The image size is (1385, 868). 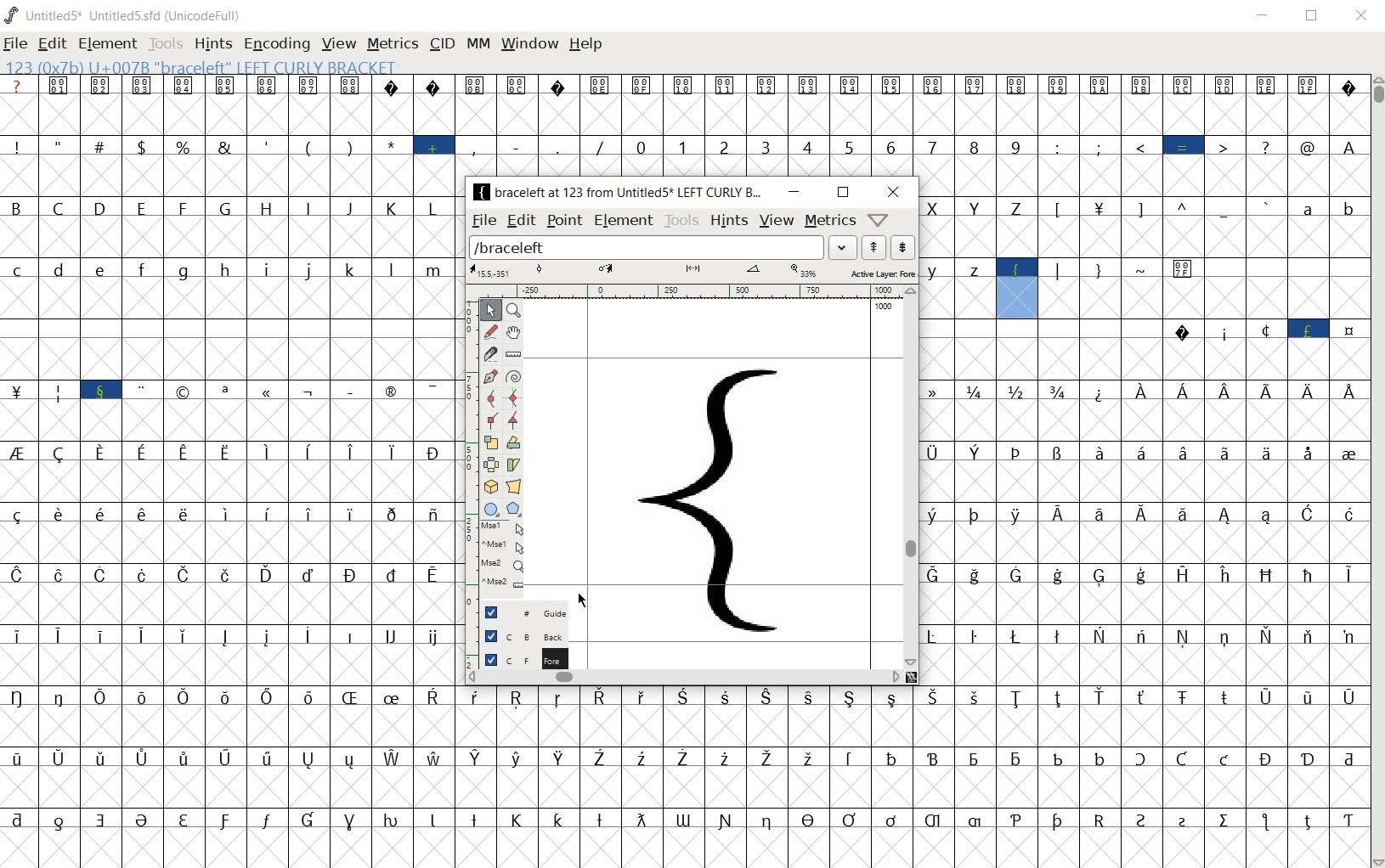 I want to click on change whether spiro is active or not, so click(x=514, y=375).